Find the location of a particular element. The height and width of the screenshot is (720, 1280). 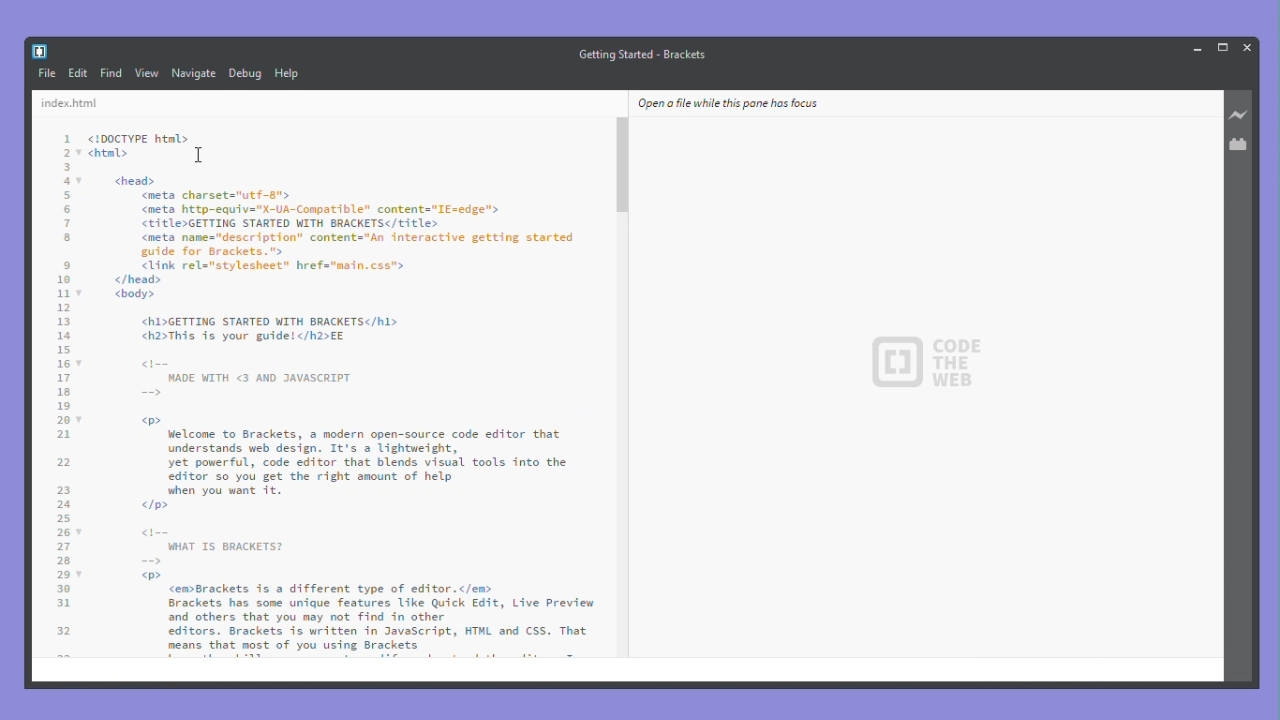

10 is located at coordinates (63, 280).